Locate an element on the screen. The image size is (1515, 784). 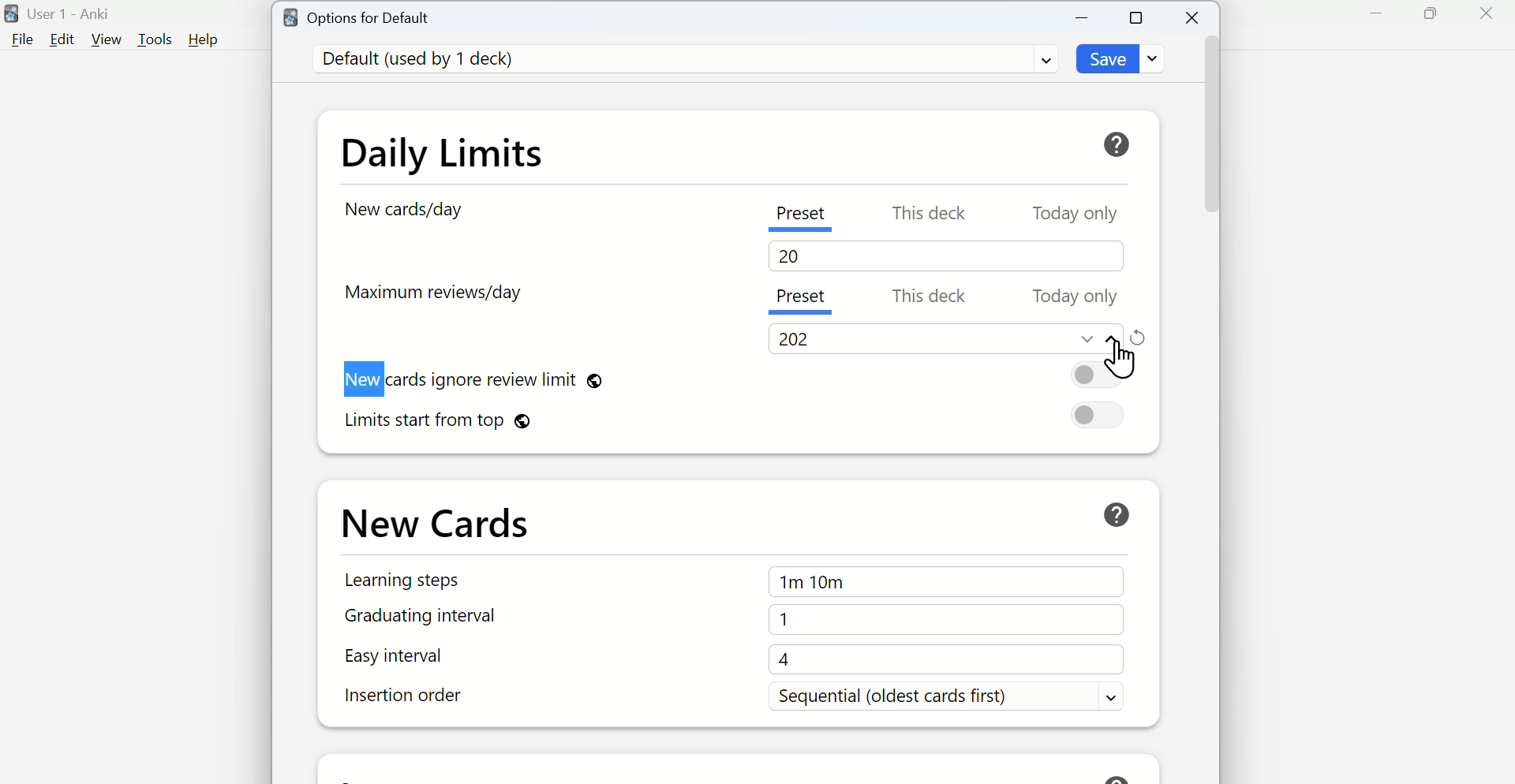
New Cards is located at coordinates (436, 521).